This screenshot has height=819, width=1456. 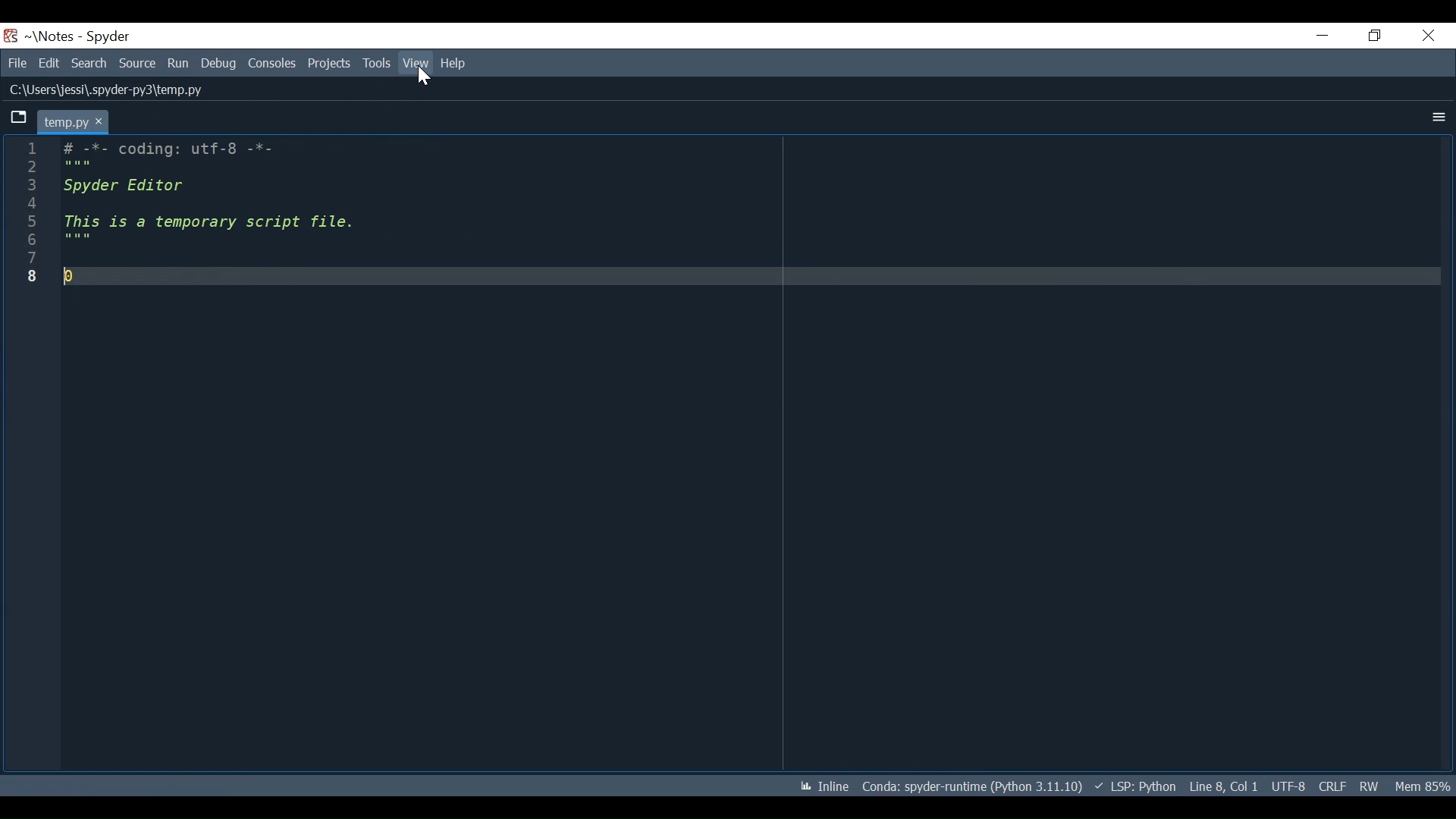 I want to click on Projects, so click(x=330, y=64).